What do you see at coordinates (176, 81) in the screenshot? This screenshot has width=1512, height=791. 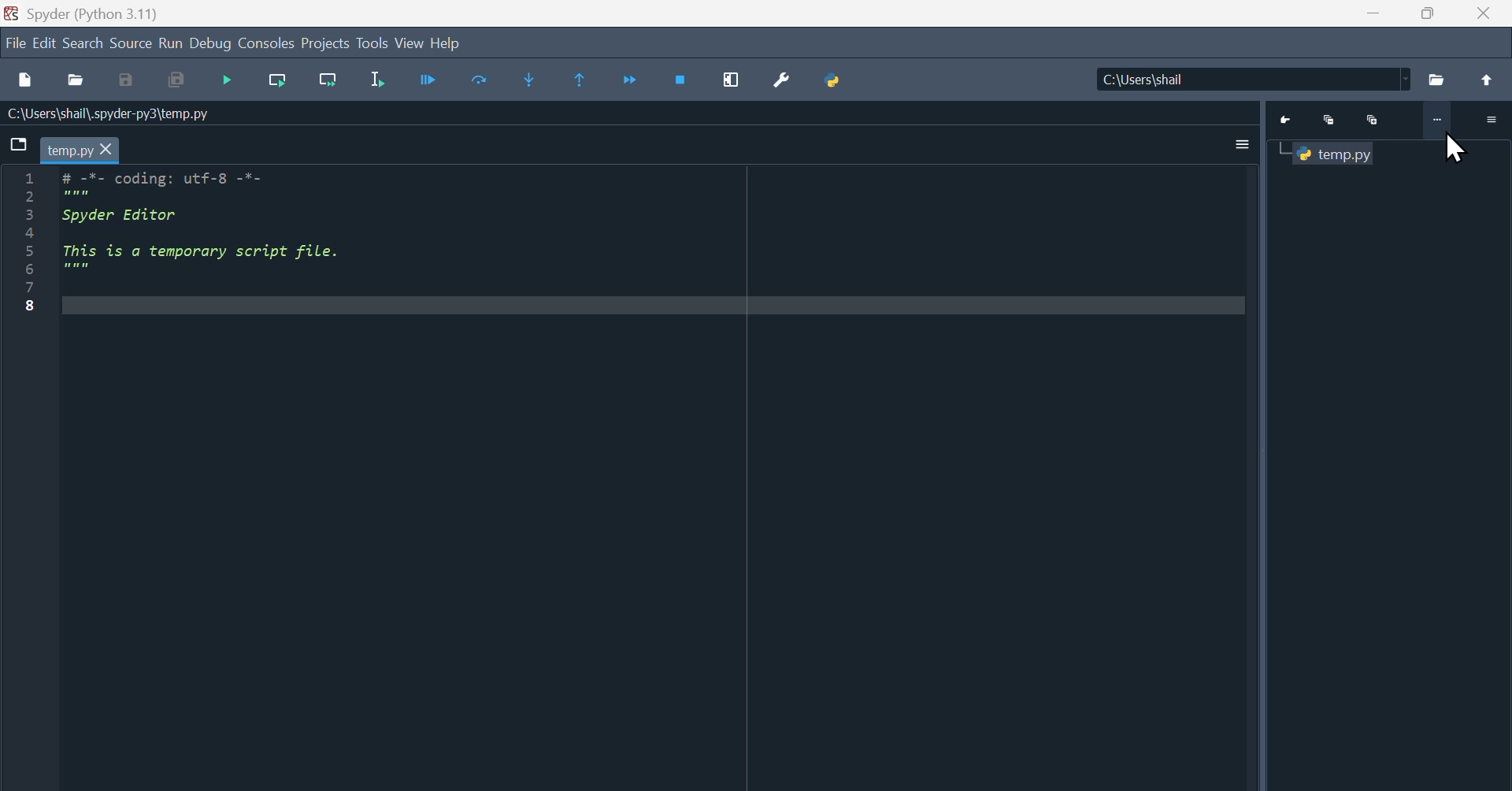 I see `Save all` at bounding box center [176, 81].